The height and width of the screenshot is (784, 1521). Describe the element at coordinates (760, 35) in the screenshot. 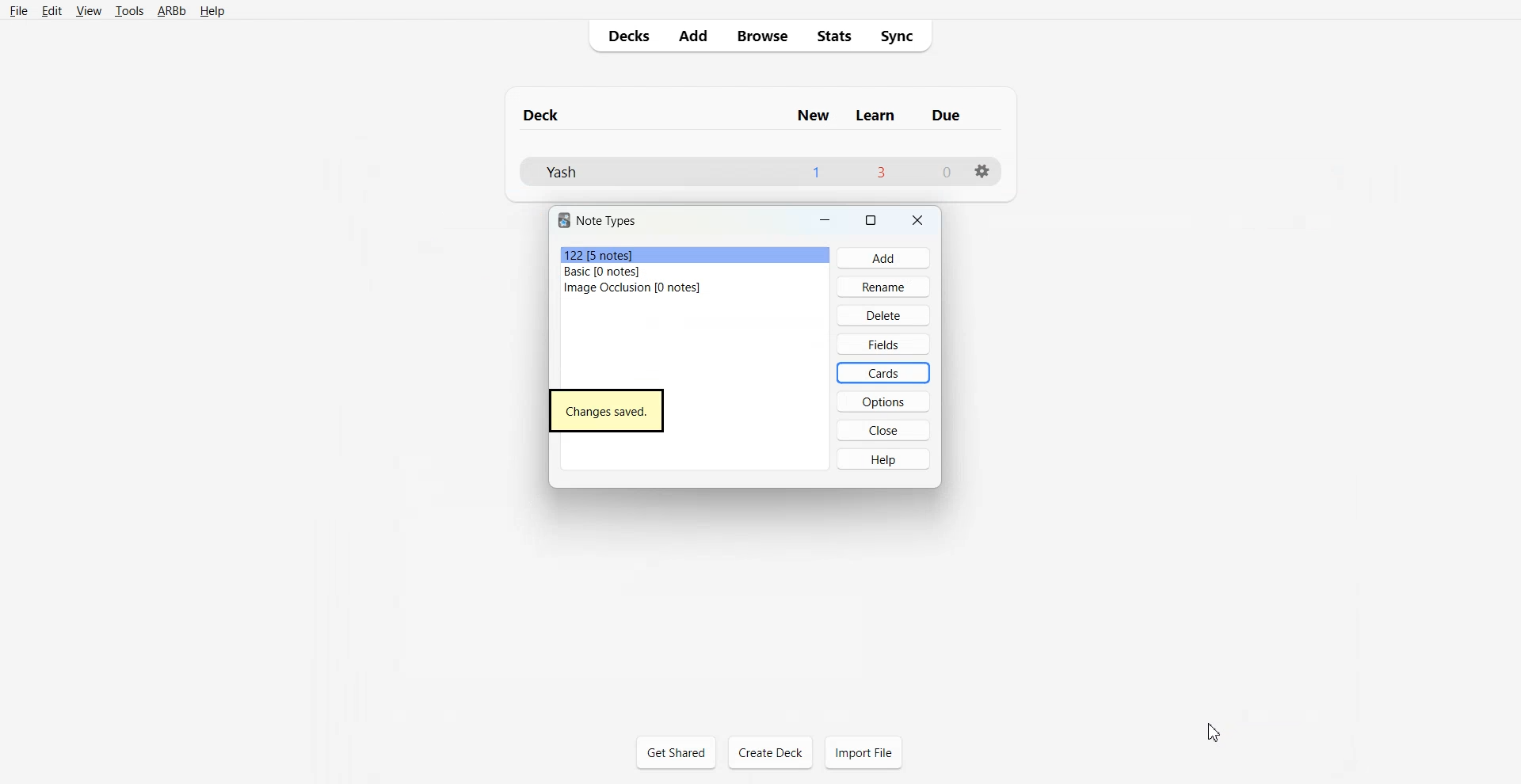

I see `Browser` at that location.